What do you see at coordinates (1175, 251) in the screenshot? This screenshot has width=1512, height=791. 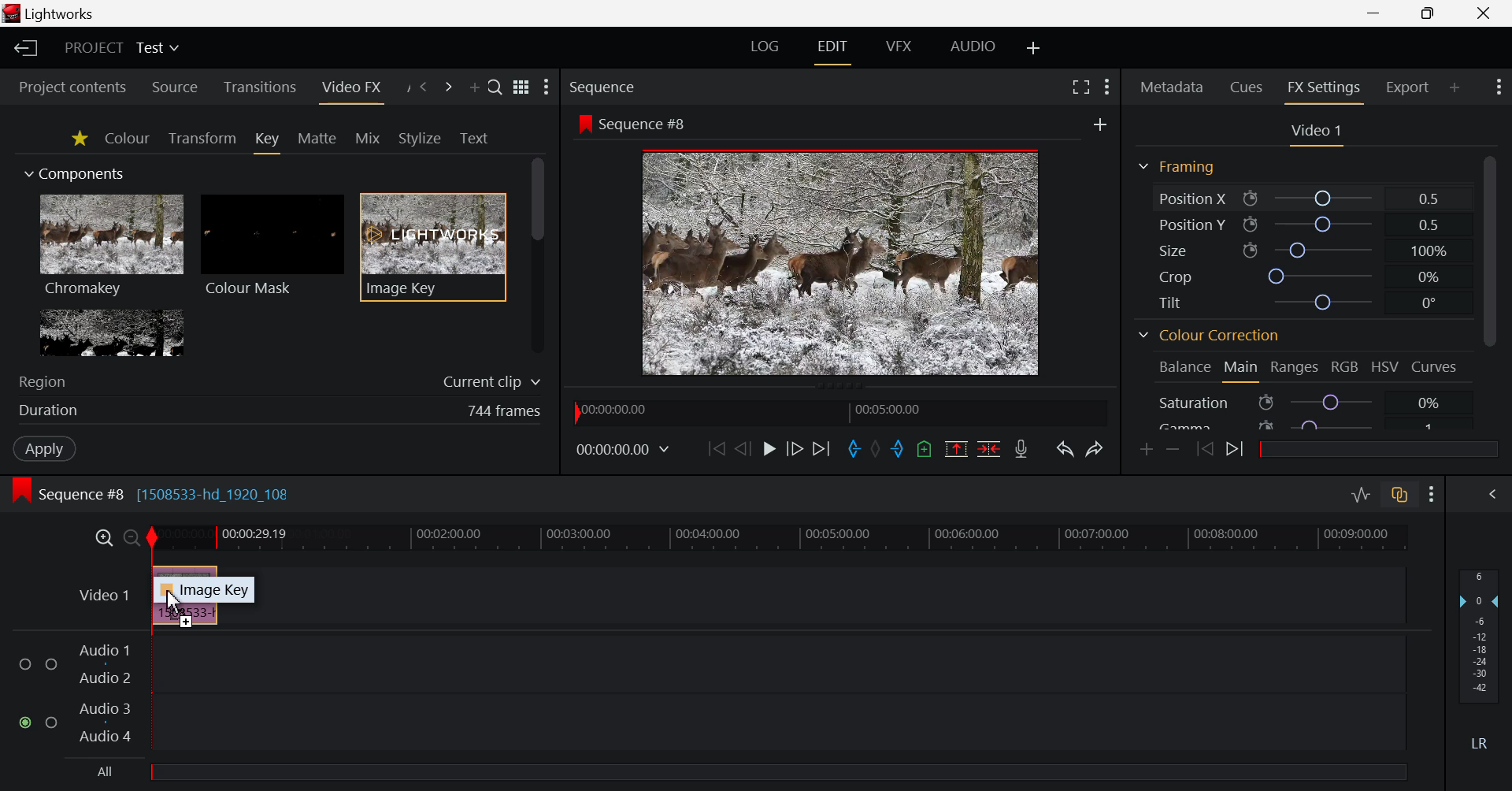 I see `Size` at bounding box center [1175, 251].